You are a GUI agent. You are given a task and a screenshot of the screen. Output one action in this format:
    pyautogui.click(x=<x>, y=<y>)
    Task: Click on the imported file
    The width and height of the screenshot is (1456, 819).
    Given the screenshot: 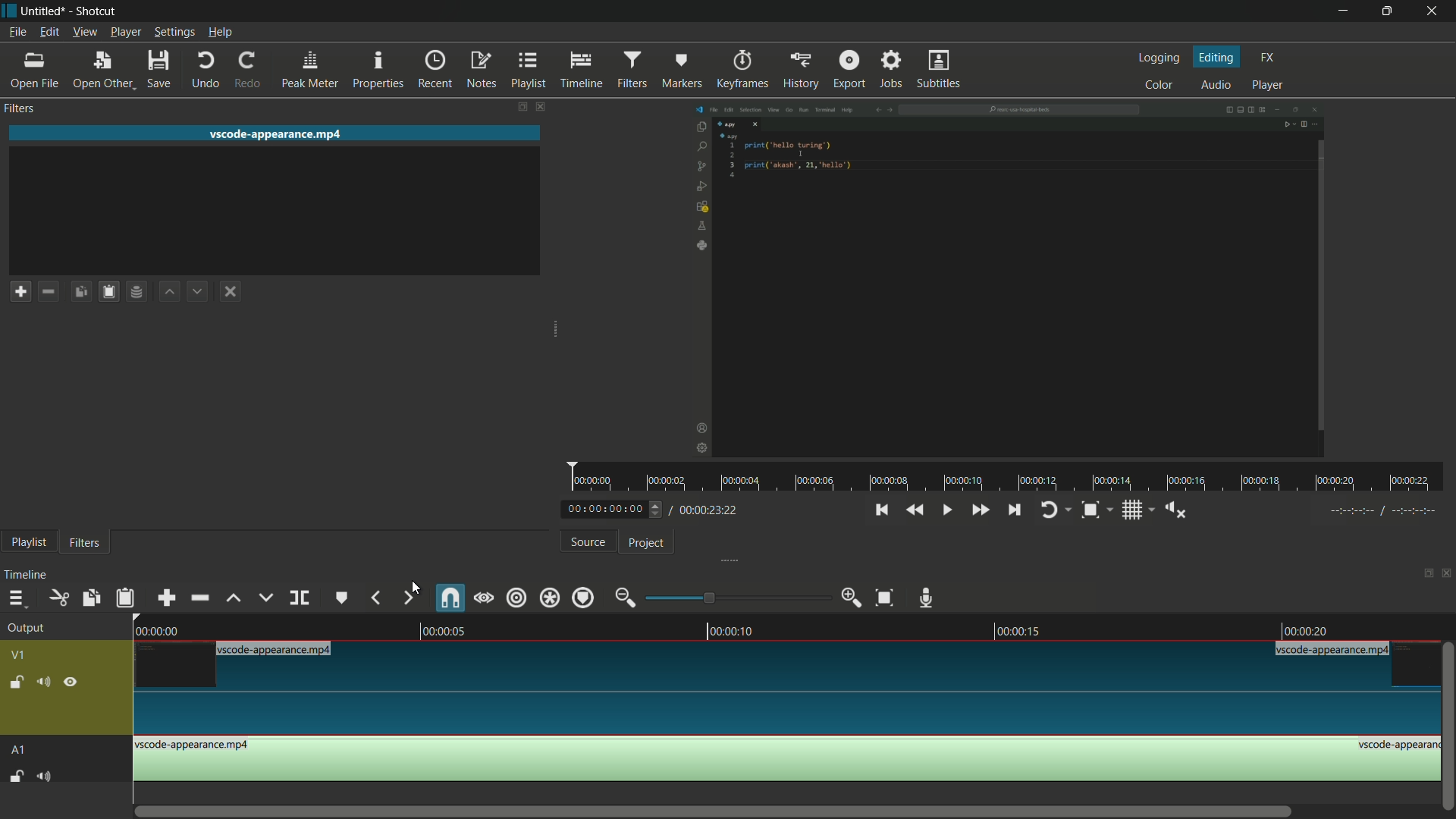 What is the action you would take?
    pyautogui.click(x=1007, y=281)
    